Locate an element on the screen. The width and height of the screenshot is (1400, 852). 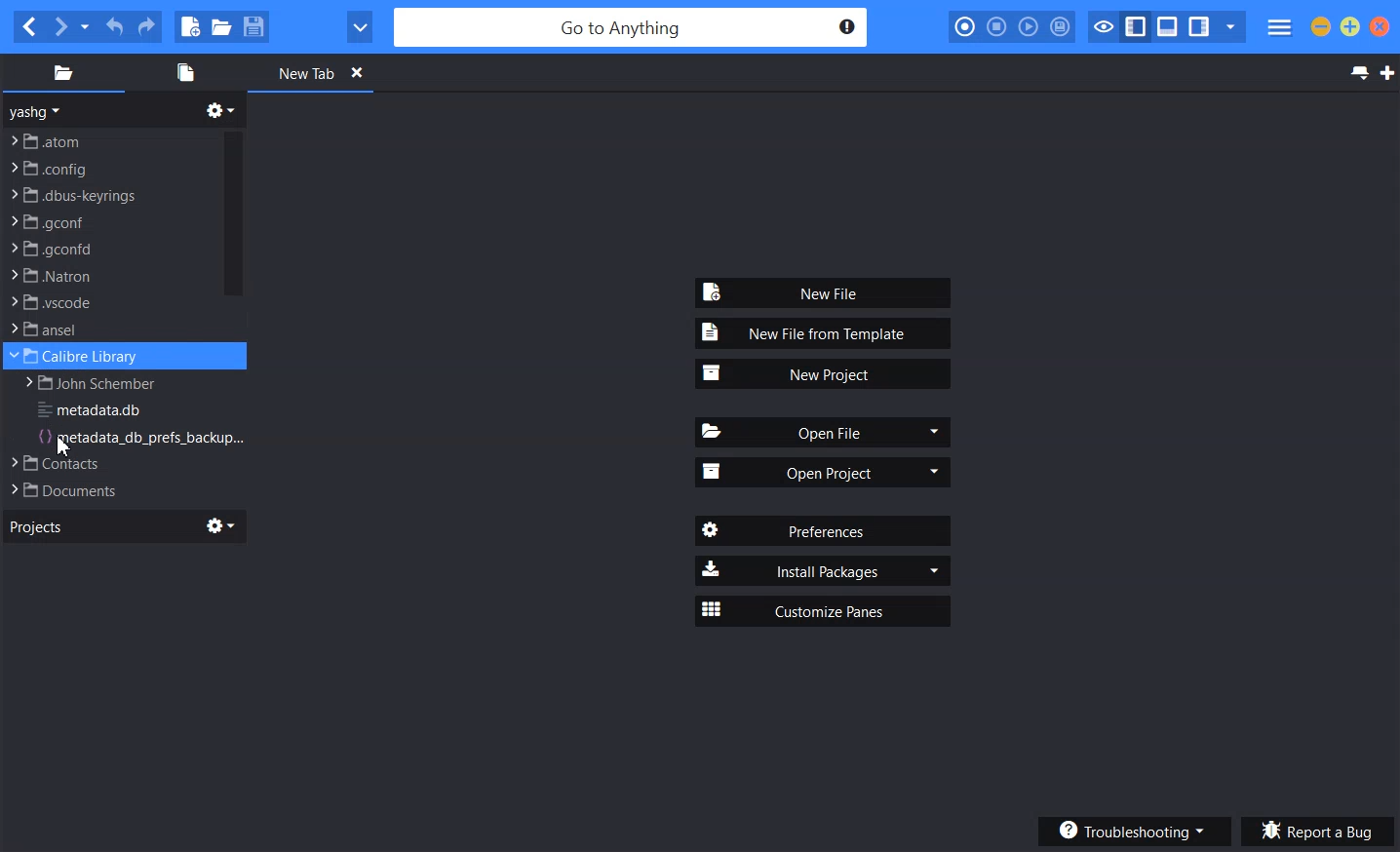
Redo last action is located at coordinates (145, 27).